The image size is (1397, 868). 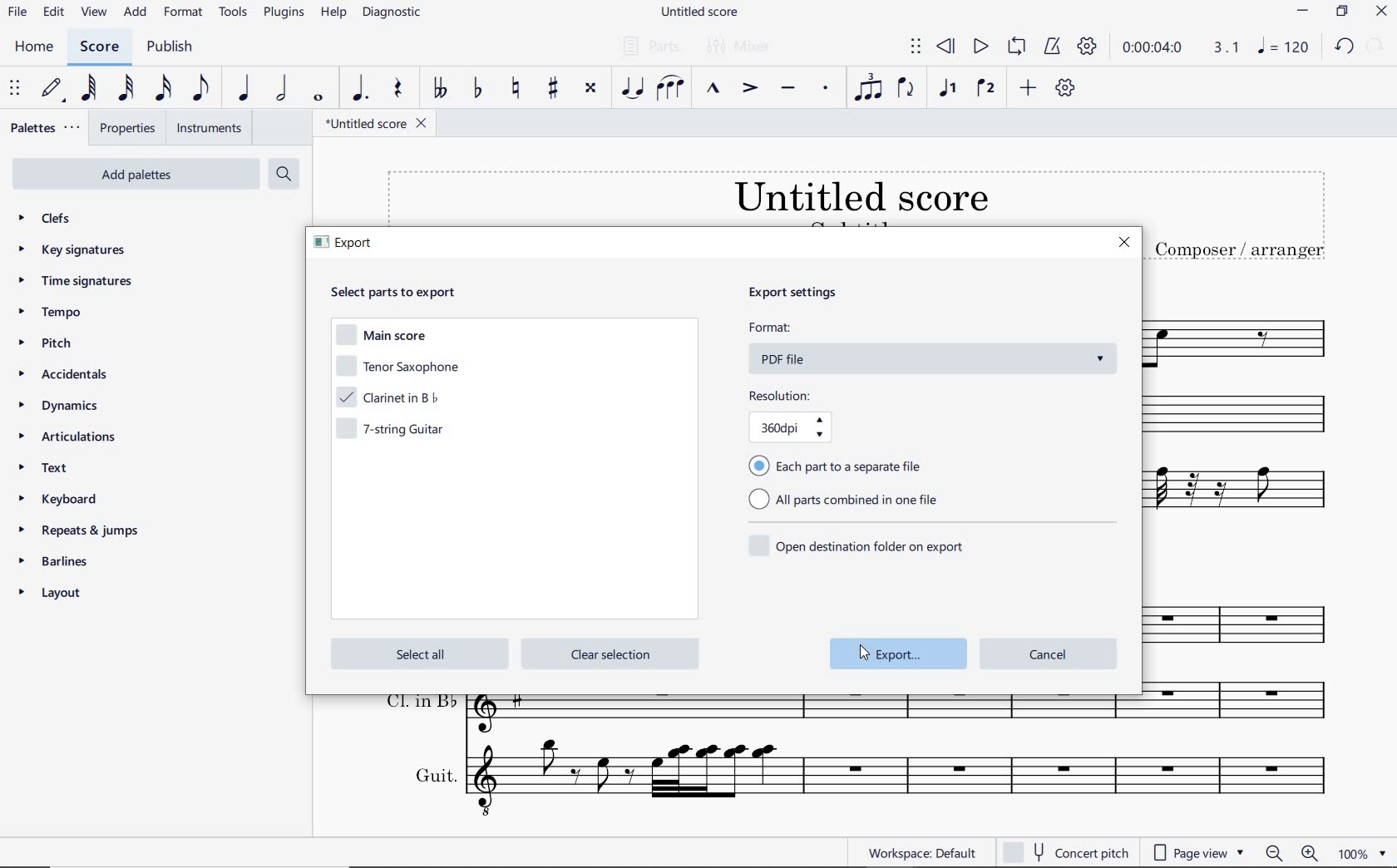 I want to click on 64TH NOTE, so click(x=89, y=90).